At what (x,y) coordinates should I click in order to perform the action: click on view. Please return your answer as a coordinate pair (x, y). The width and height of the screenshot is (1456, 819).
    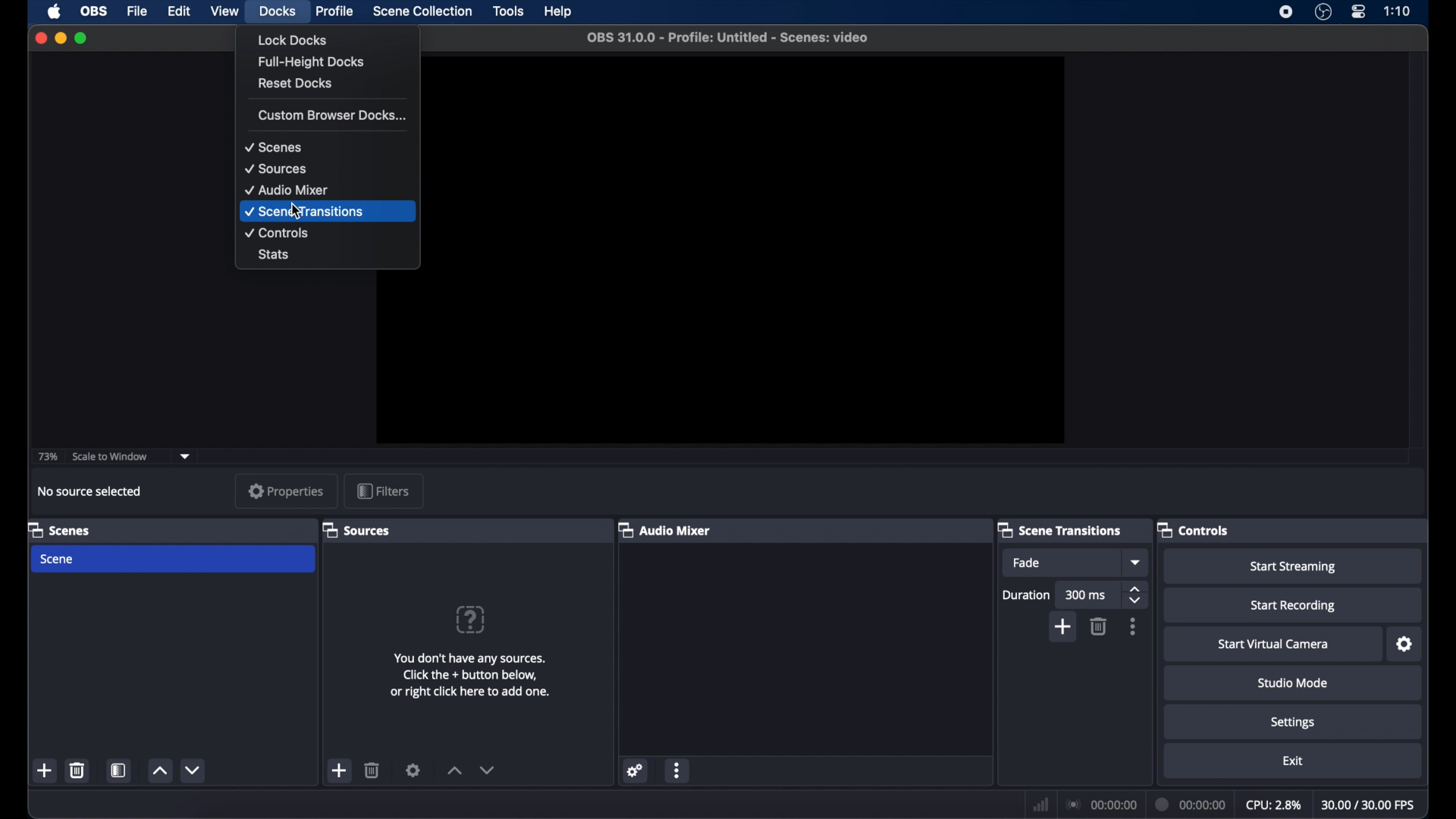
    Looking at the image, I should click on (224, 11).